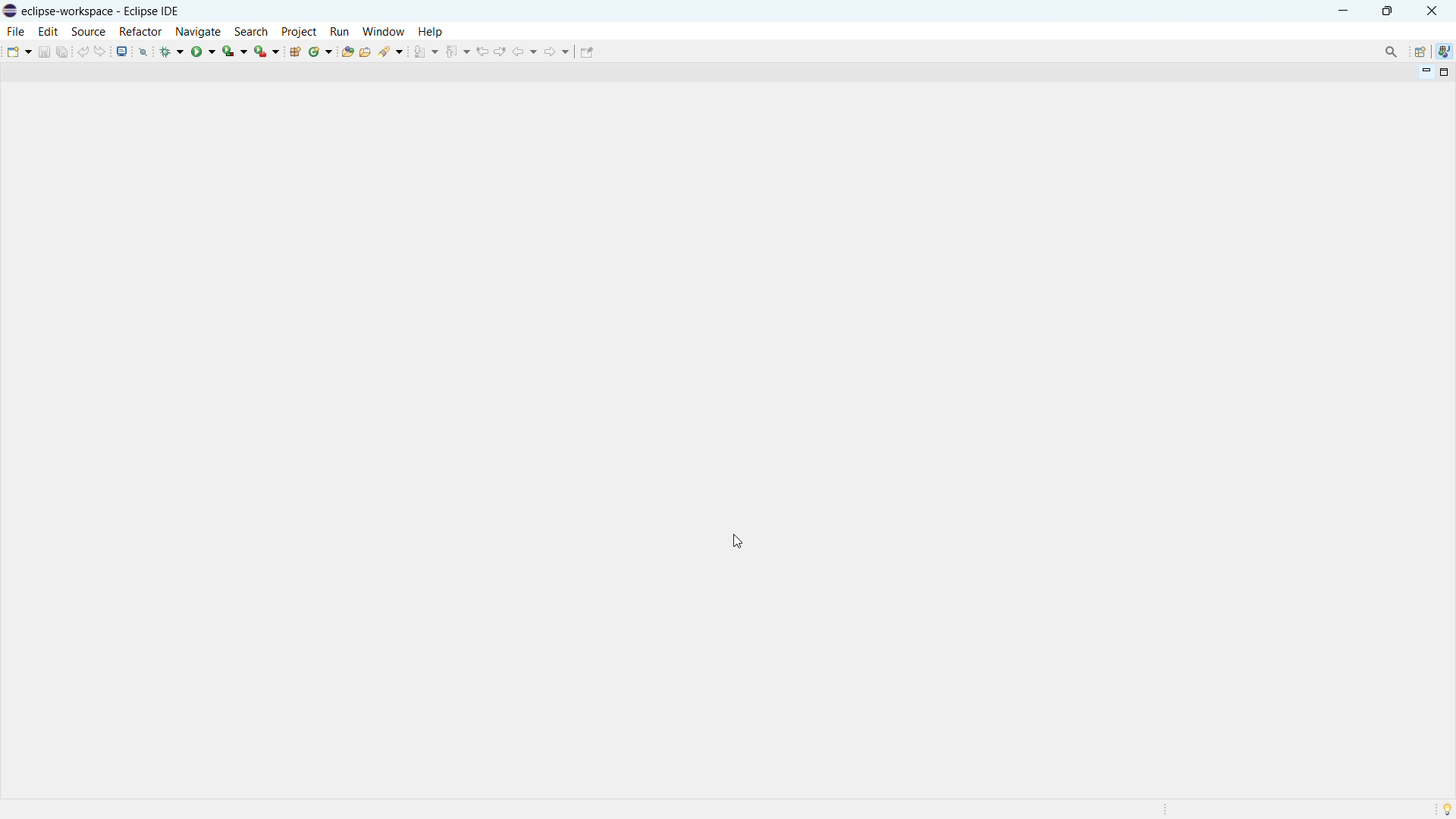 The width and height of the screenshot is (1456, 819). What do you see at coordinates (1442, 73) in the screenshot?
I see `maximize view` at bounding box center [1442, 73].